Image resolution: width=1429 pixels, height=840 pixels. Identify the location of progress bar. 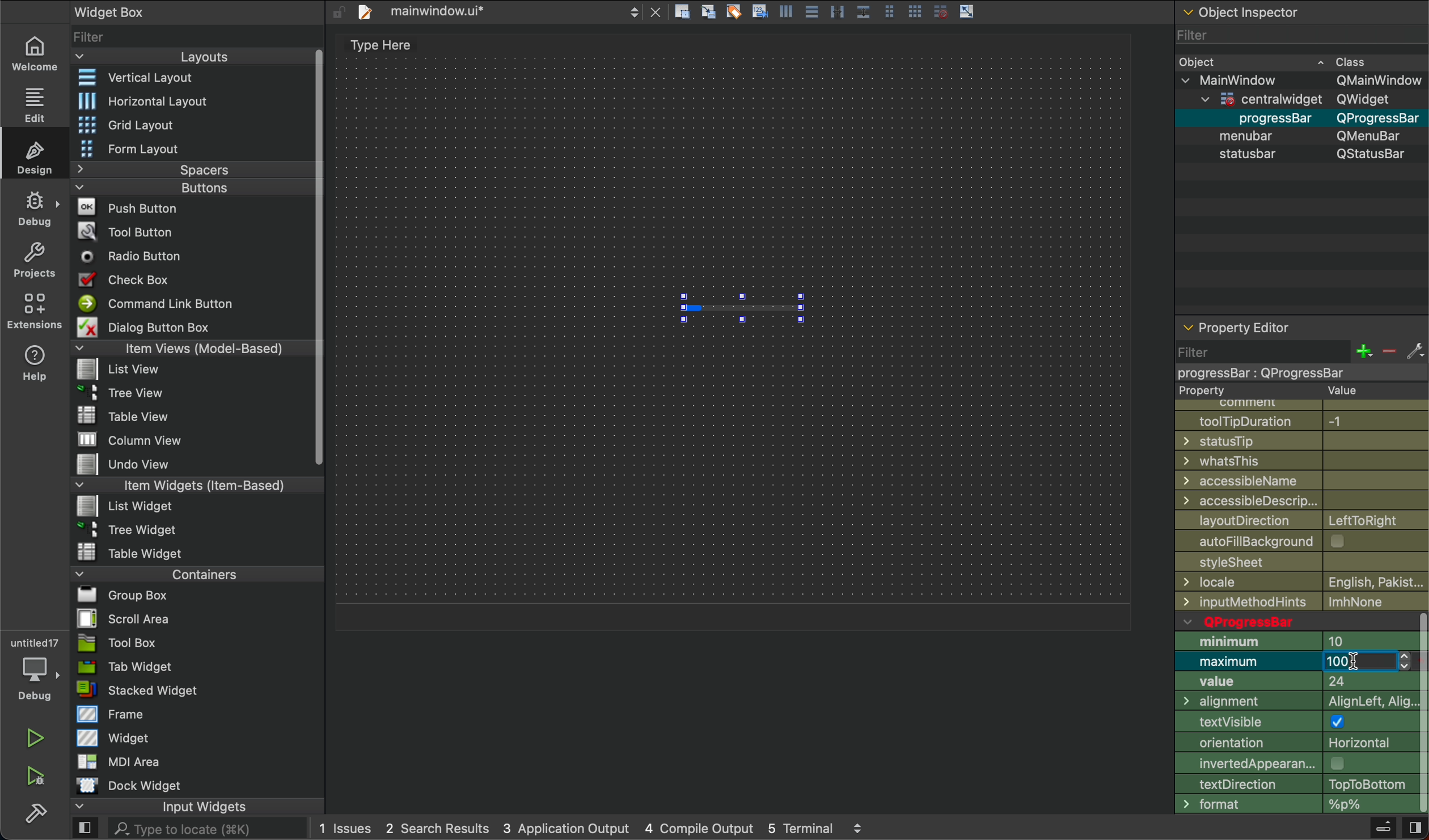
(742, 306).